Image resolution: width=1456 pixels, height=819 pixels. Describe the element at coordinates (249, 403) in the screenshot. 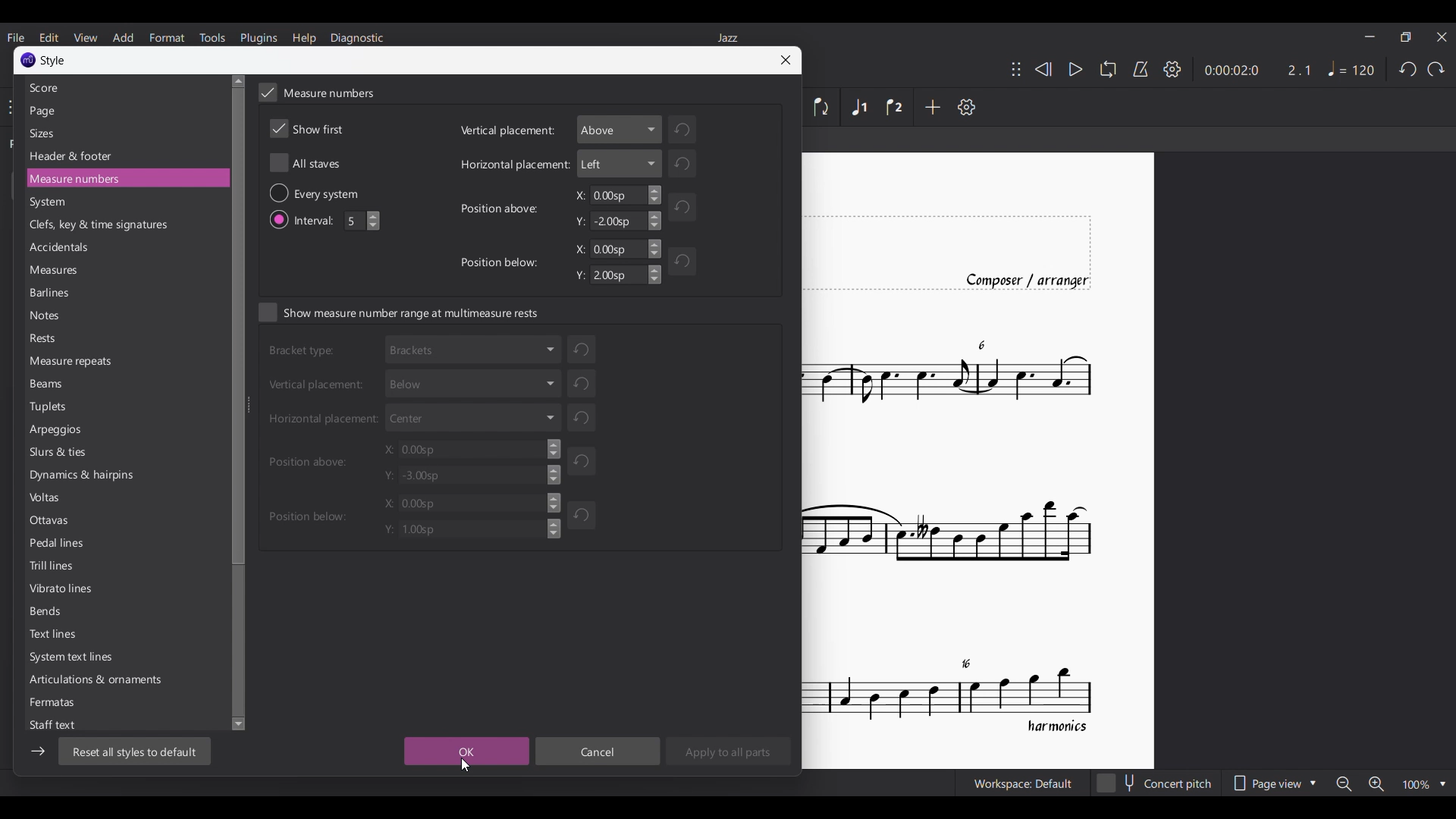

I see `Change width of panel` at that location.